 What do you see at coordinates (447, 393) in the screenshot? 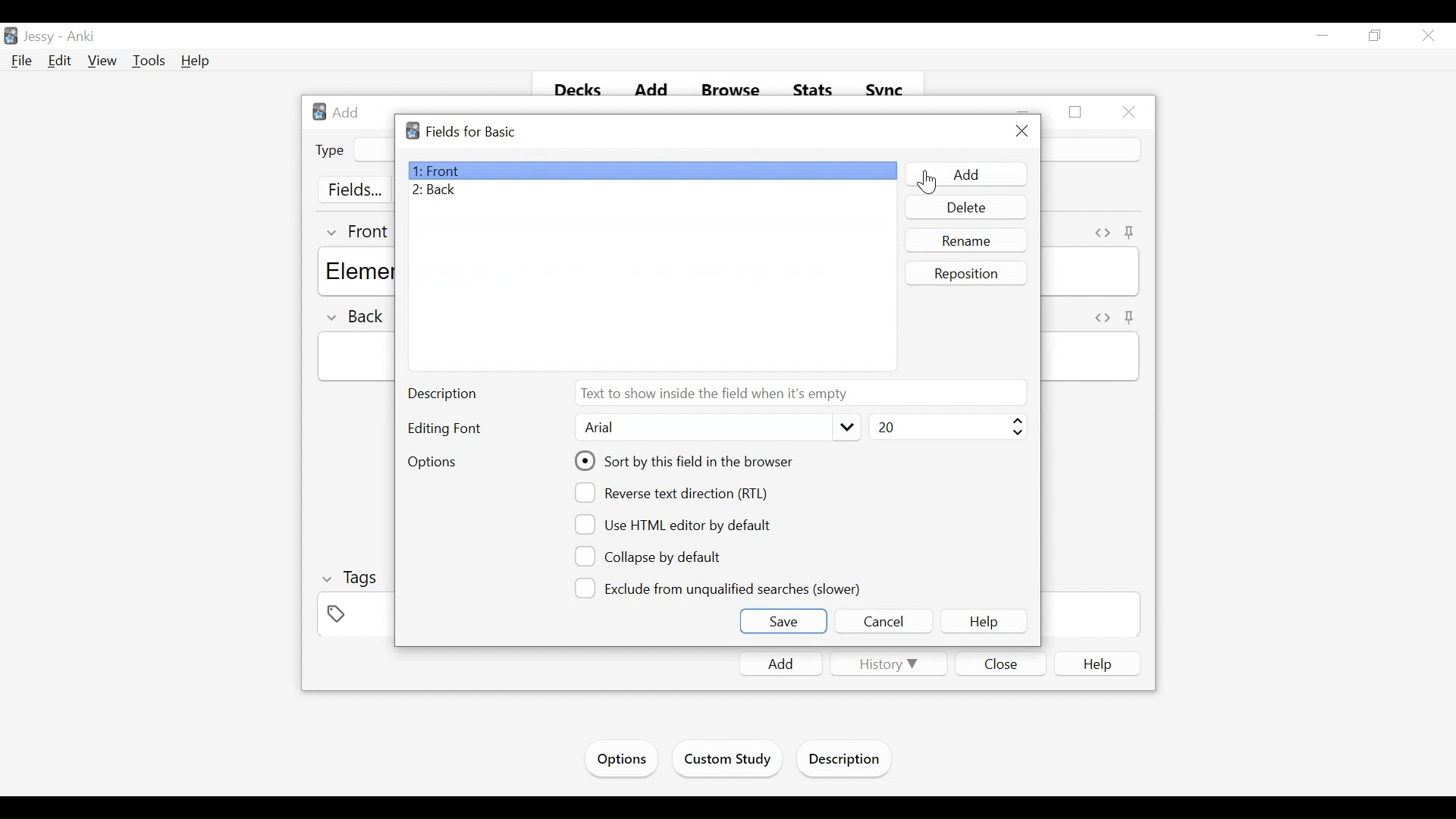
I see `Description` at bounding box center [447, 393].